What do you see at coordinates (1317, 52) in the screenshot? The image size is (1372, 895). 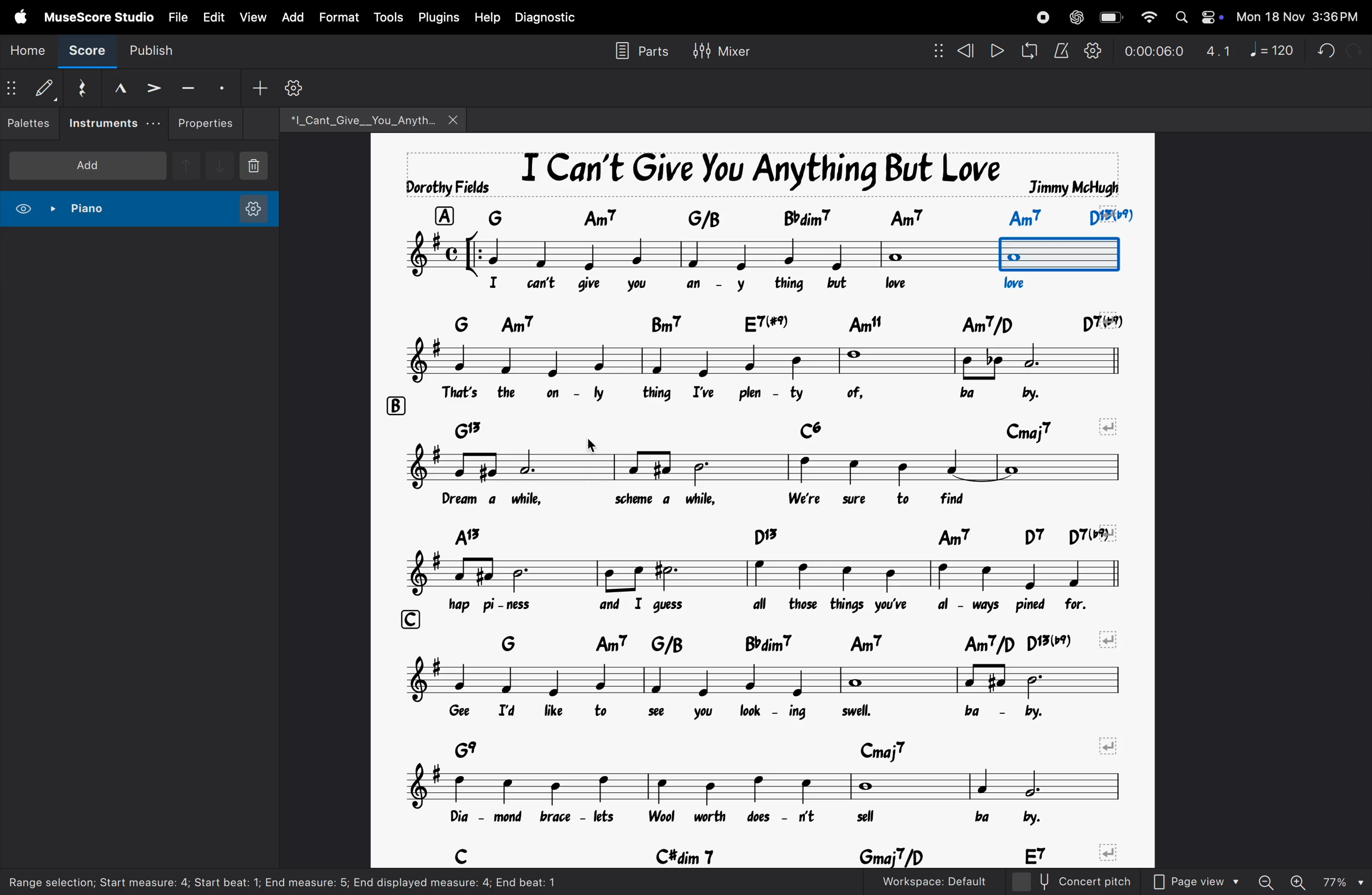 I see `undo` at bounding box center [1317, 52].